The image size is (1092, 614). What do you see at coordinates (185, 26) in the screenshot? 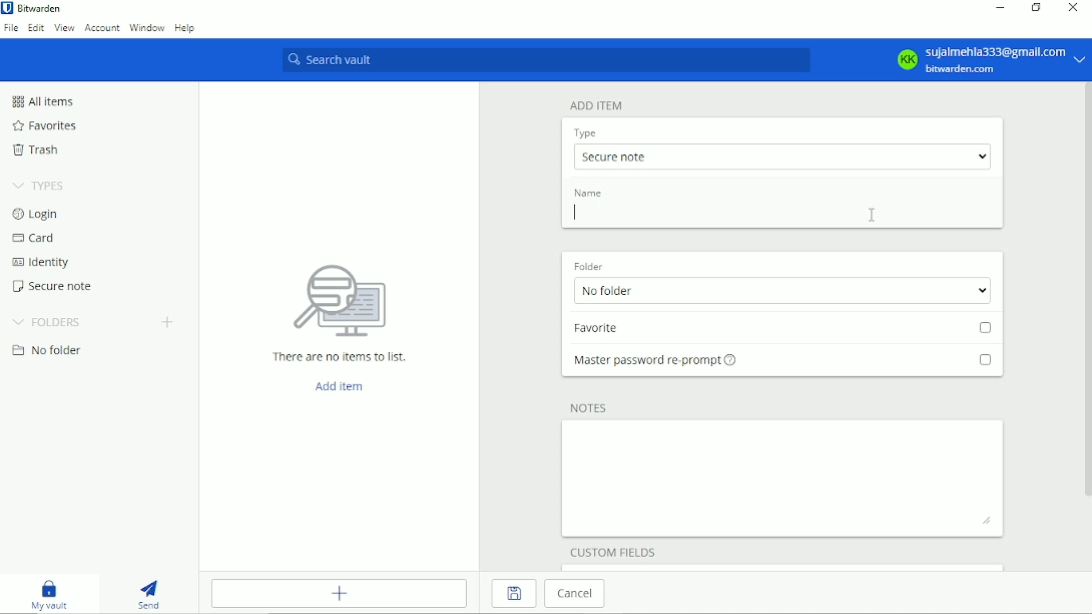
I see `Help` at bounding box center [185, 26].